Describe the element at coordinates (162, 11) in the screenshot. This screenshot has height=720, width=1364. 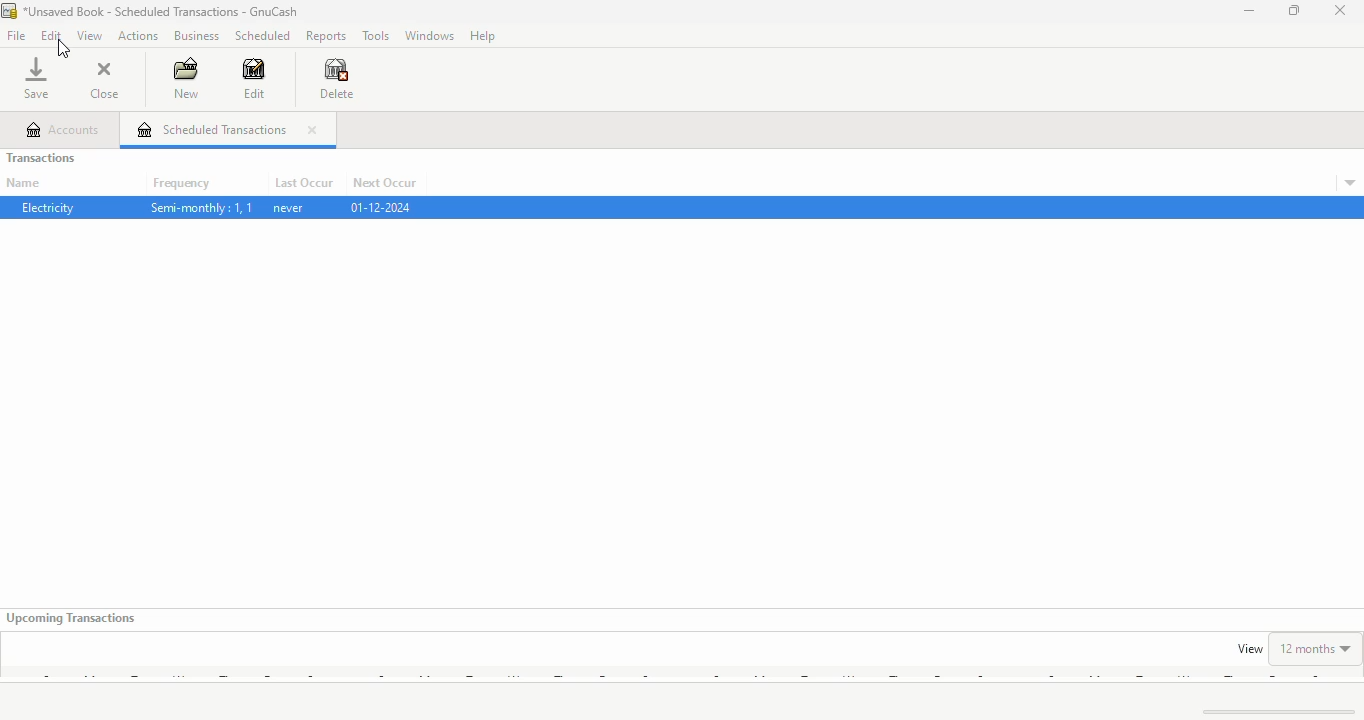
I see `title` at that location.